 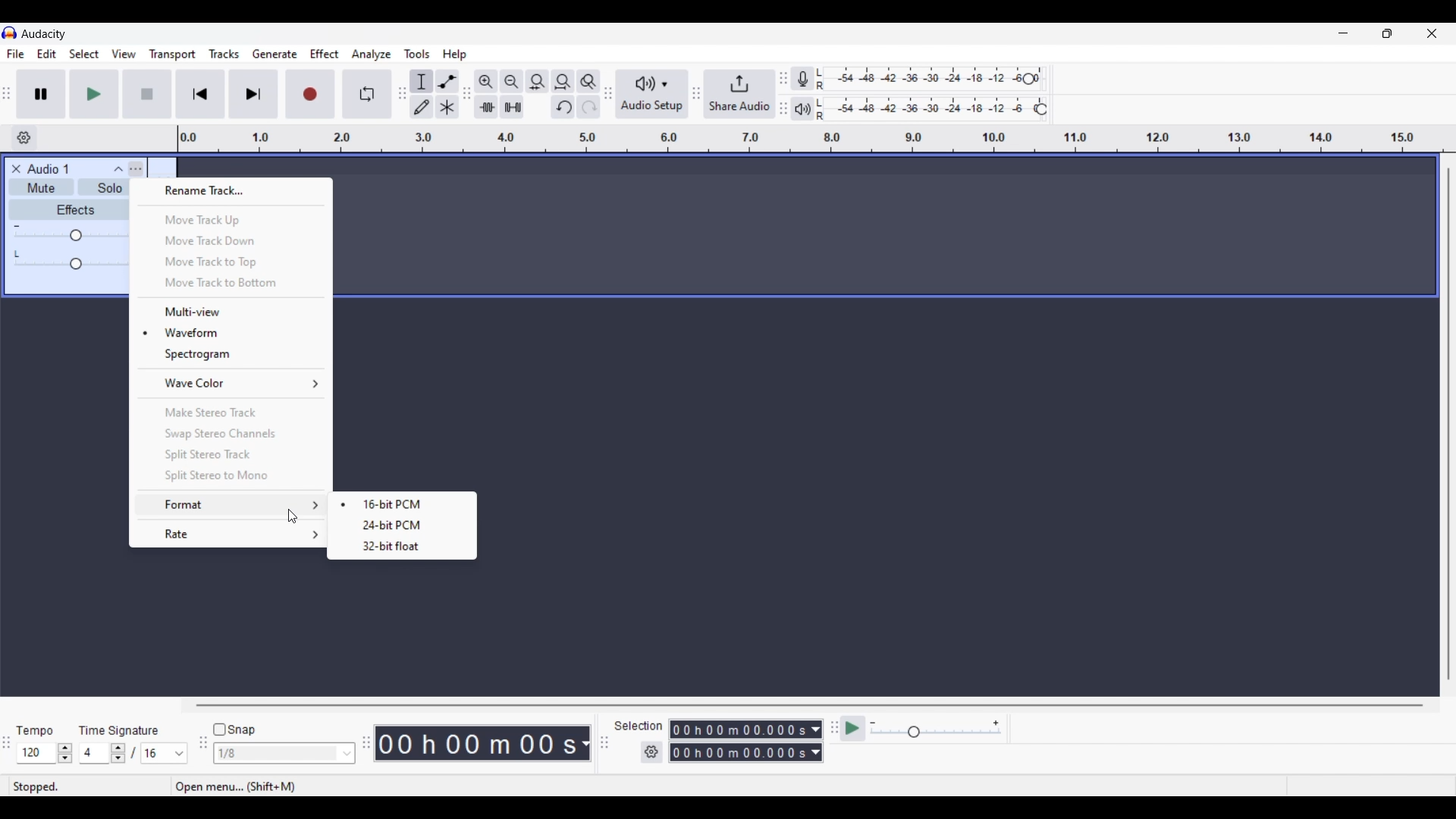 I want to click on 24-bit PCM, so click(x=398, y=525).